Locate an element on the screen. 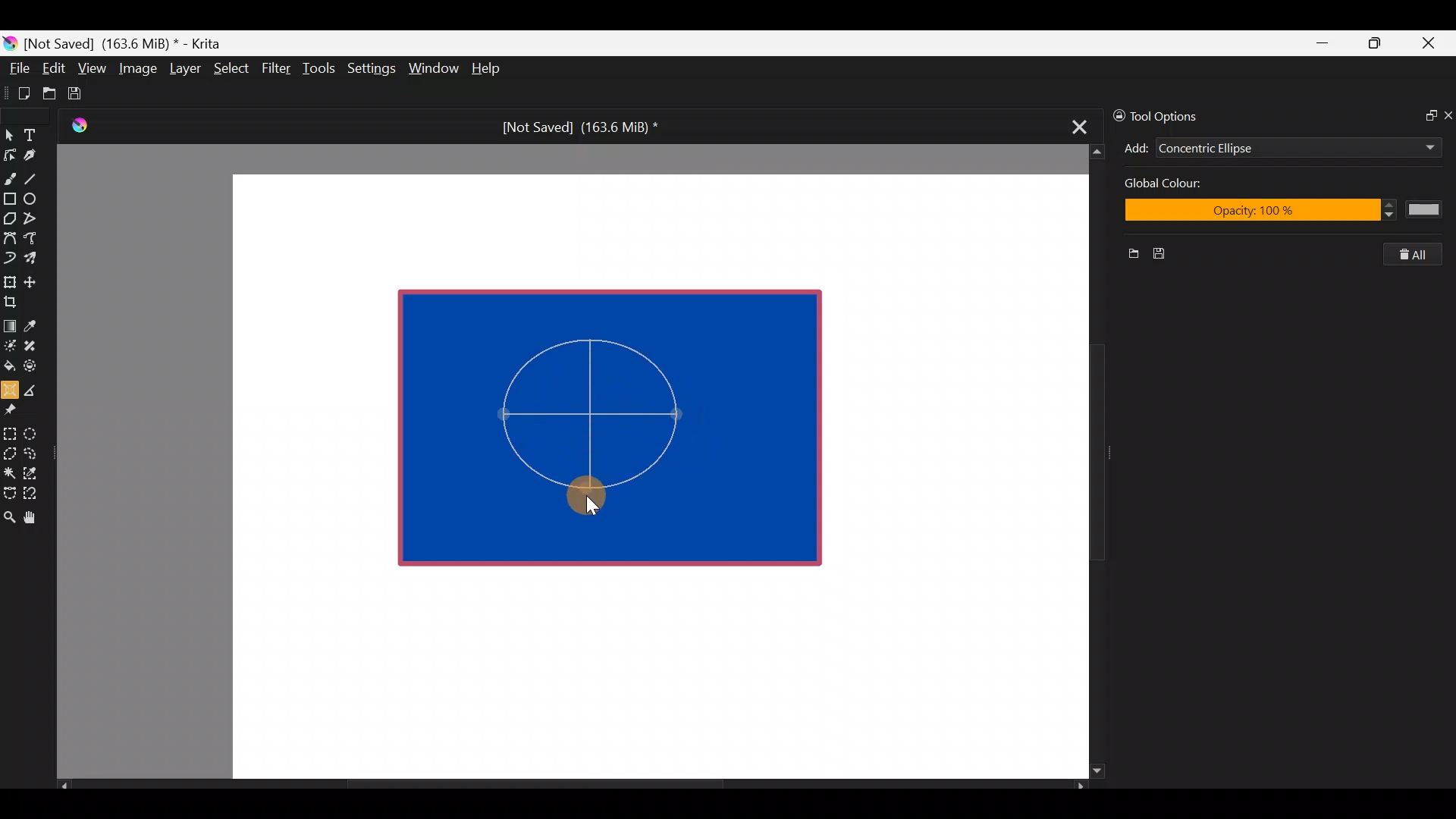 The height and width of the screenshot is (819, 1456). Freehand path tool is located at coordinates (38, 240).